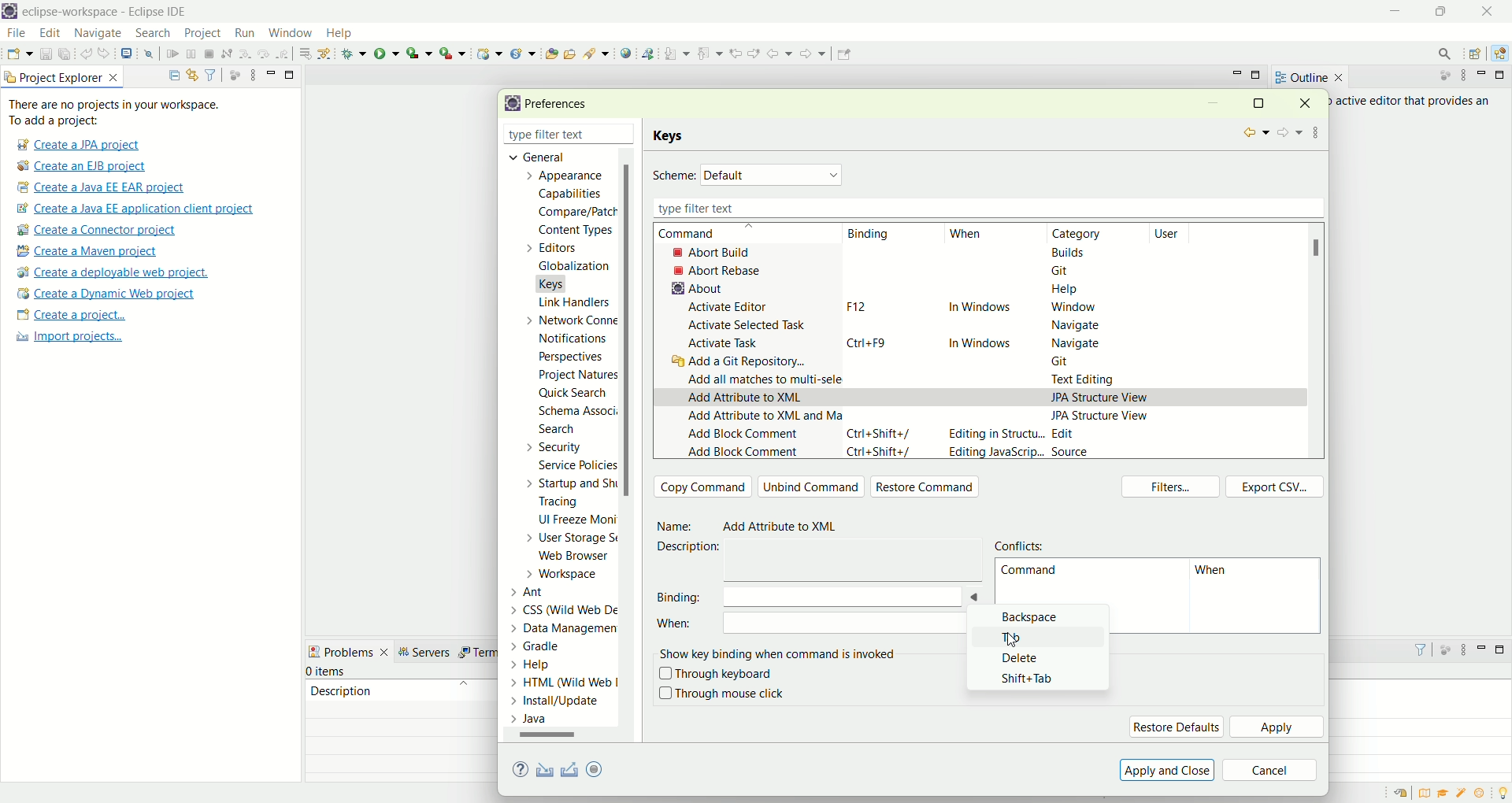  Describe the element at coordinates (569, 52) in the screenshot. I see `open task` at that location.